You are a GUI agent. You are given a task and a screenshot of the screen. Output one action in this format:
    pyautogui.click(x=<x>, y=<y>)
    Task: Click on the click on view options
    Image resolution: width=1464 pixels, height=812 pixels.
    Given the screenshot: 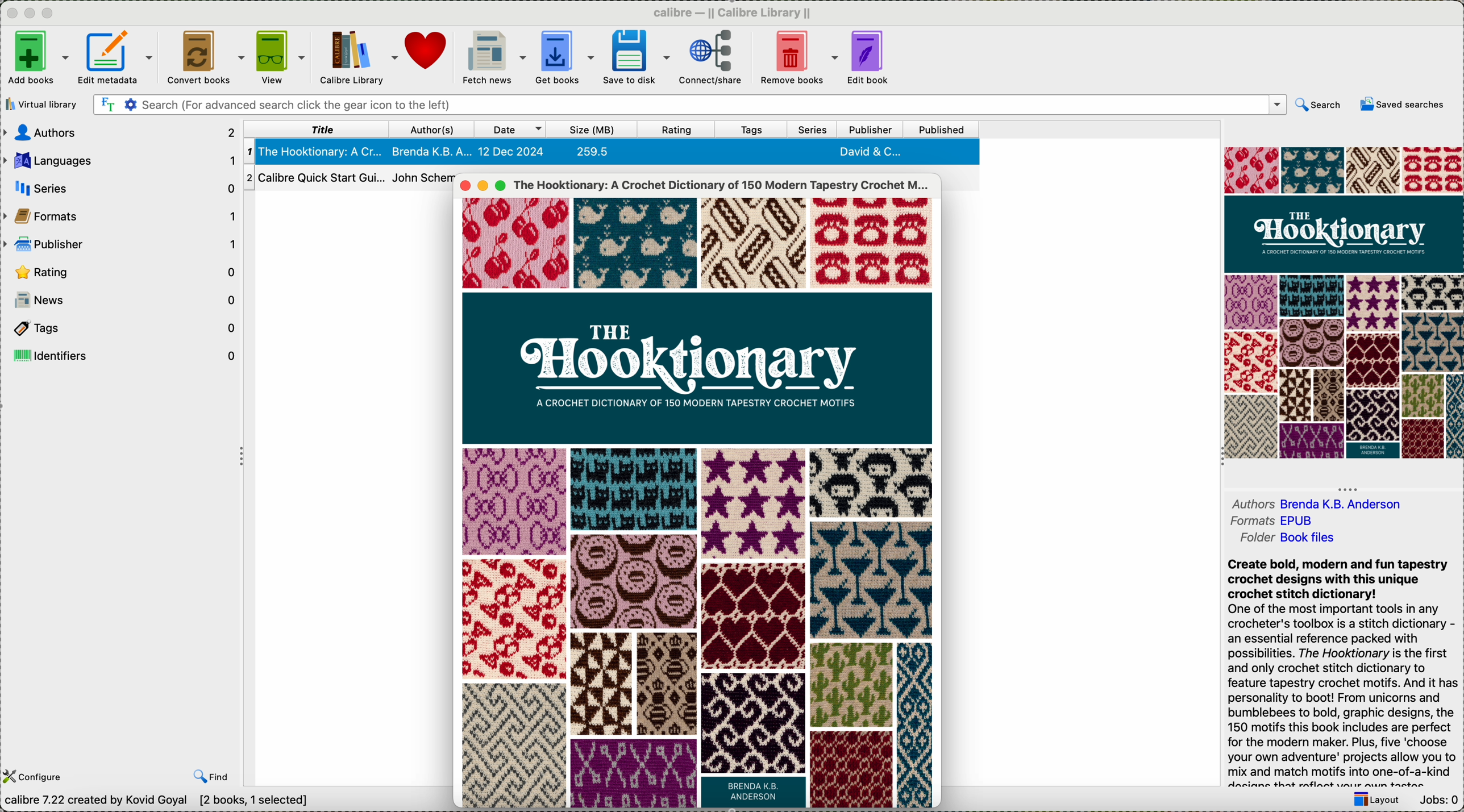 What is the action you would take?
    pyautogui.click(x=281, y=57)
    